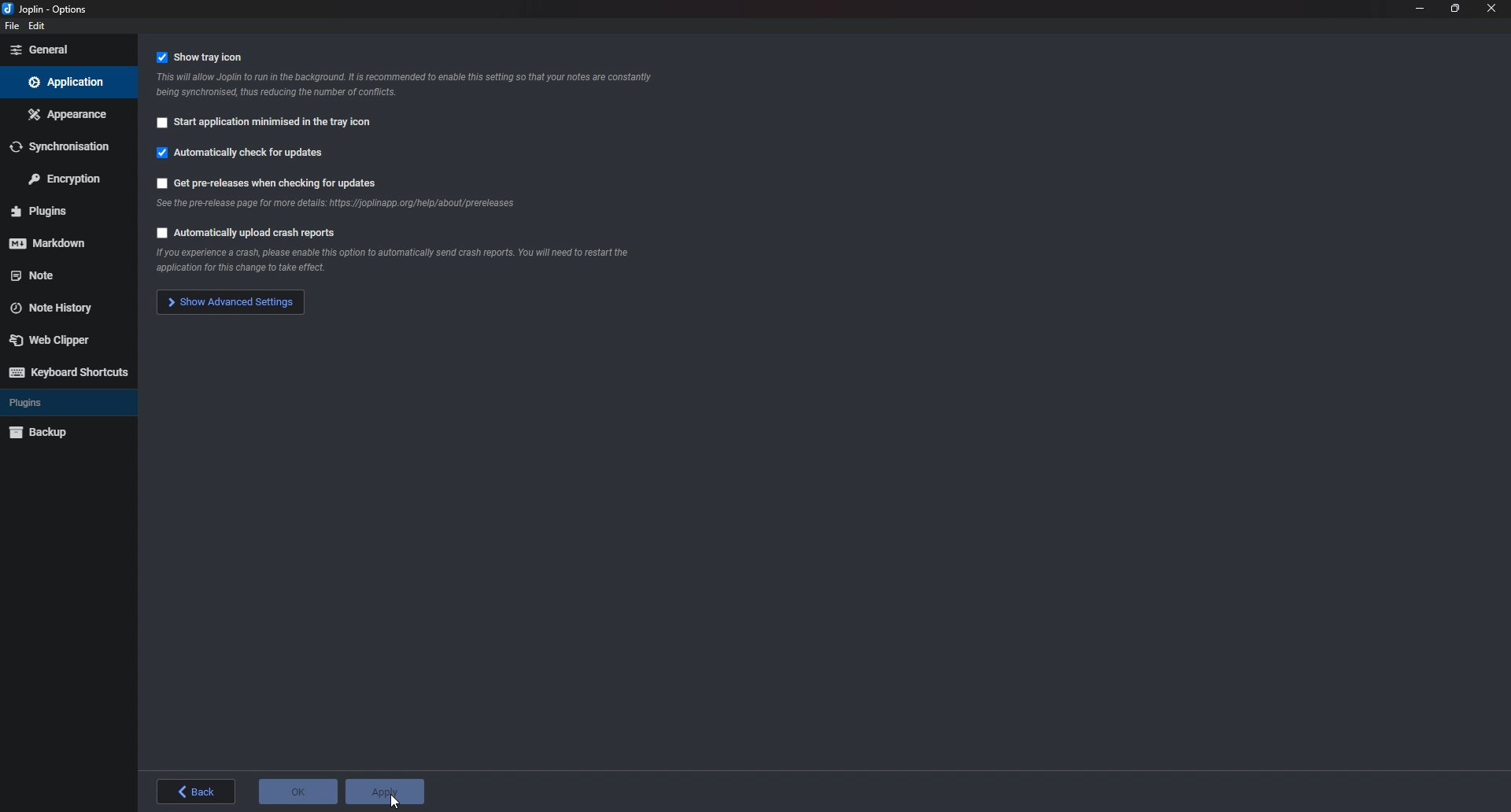 The image size is (1511, 812). What do you see at coordinates (53, 434) in the screenshot?
I see `Backup` at bounding box center [53, 434].